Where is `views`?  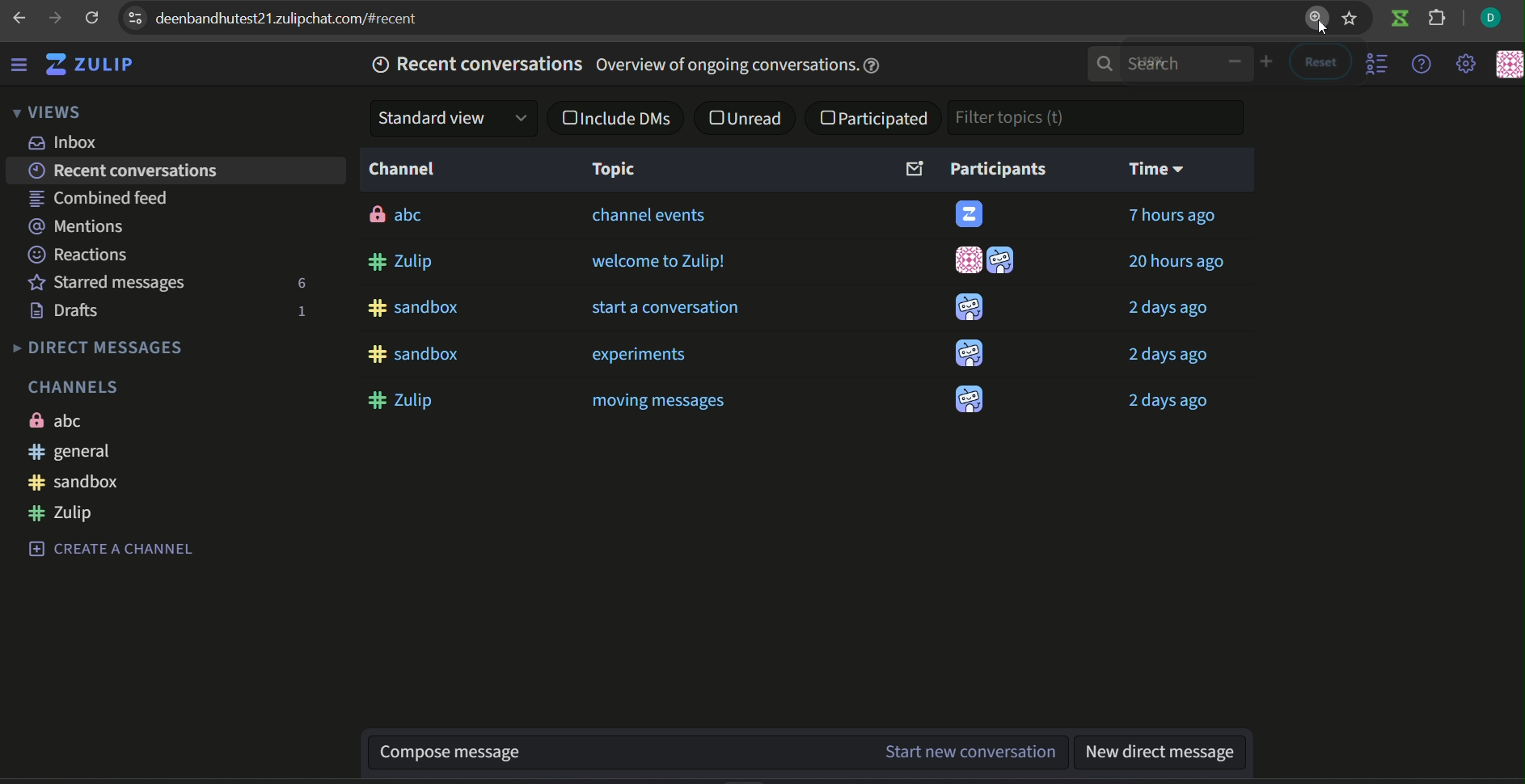
views is located at coordinates (44, 114).